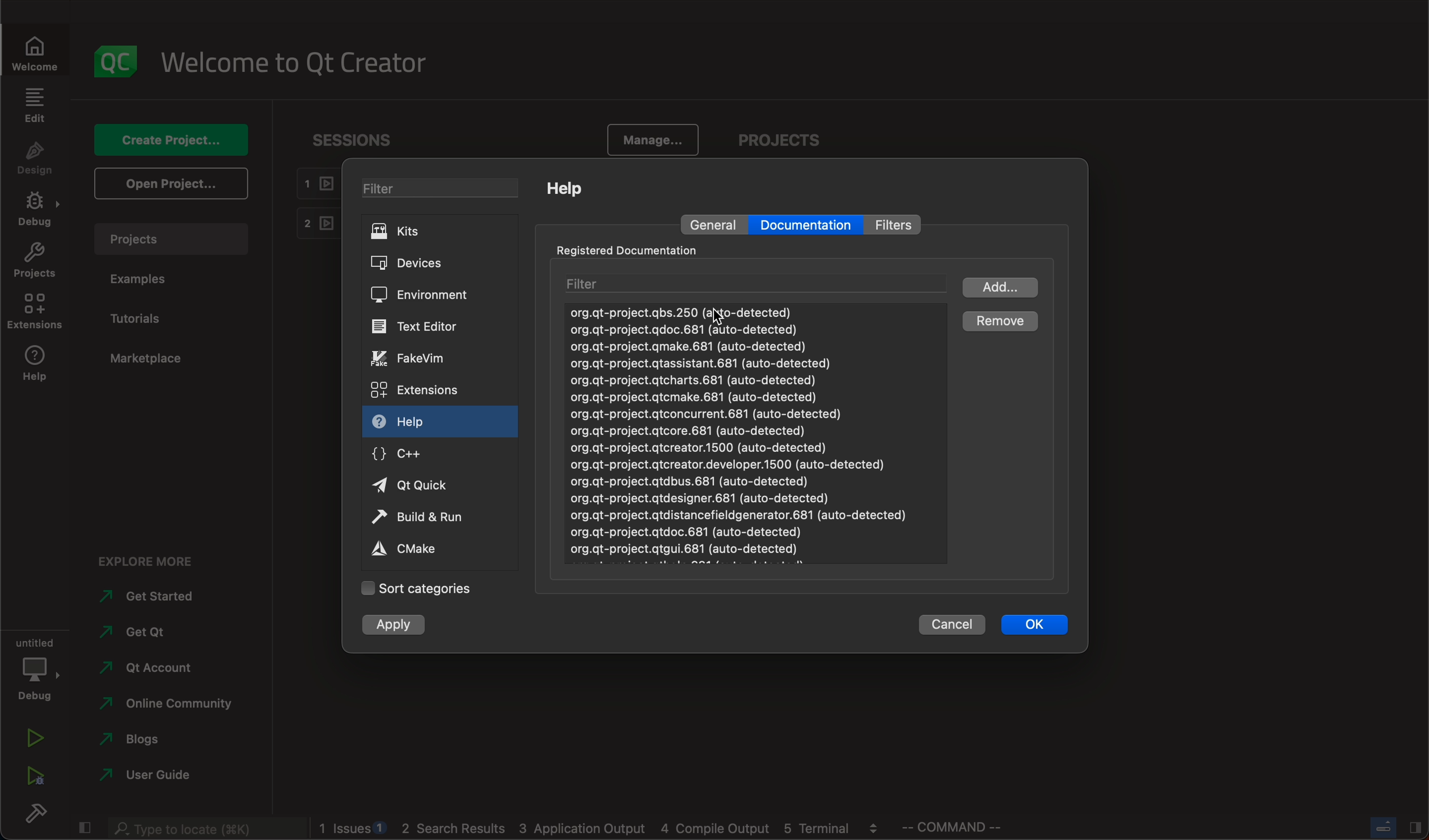 This screenshot has width=1429, height=840. I want to click on filter, so click(902, 223).